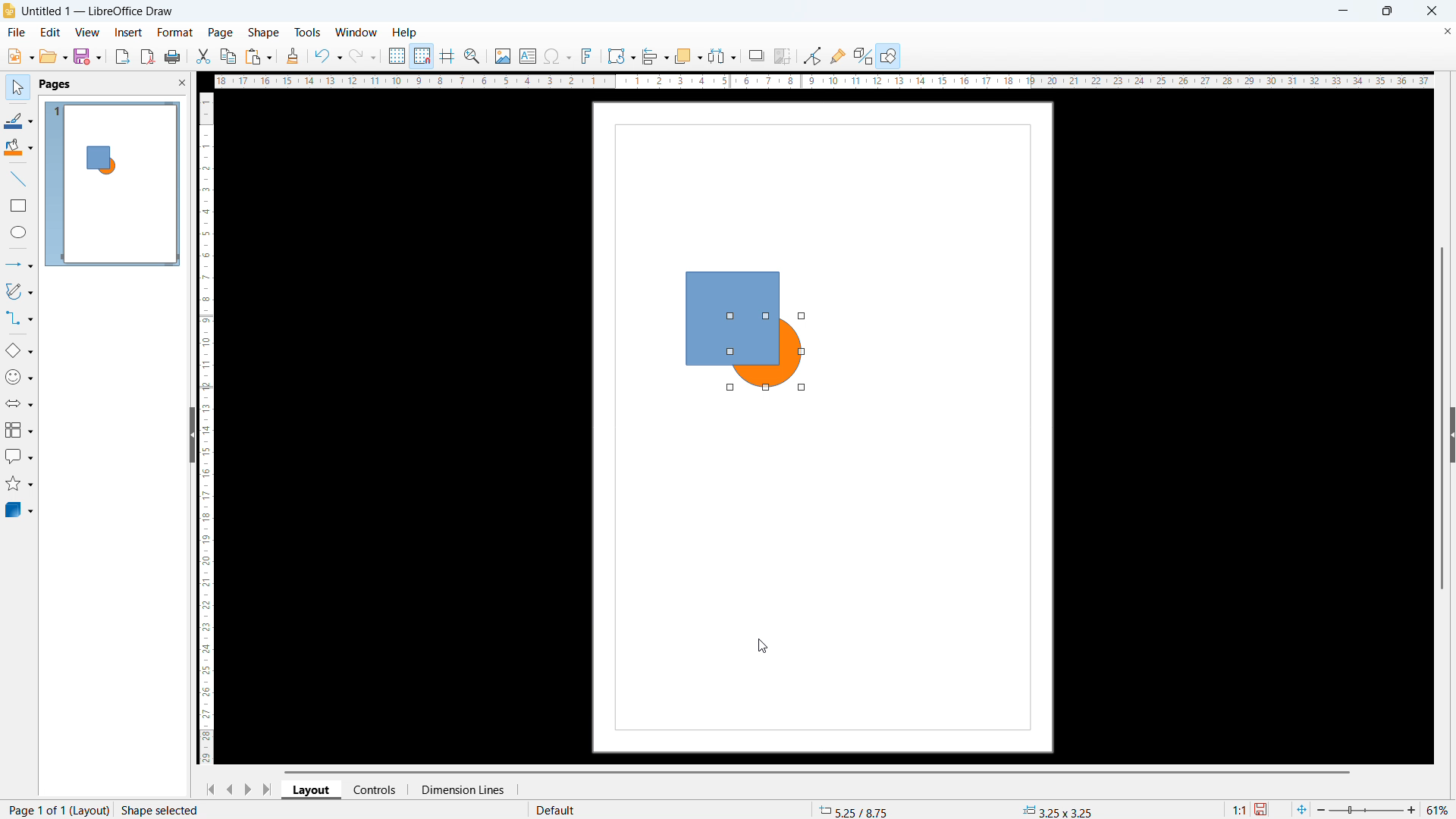 The height and width of the screenshot is (819, 1456). I want to click on snap to grid, so click(422, 55).